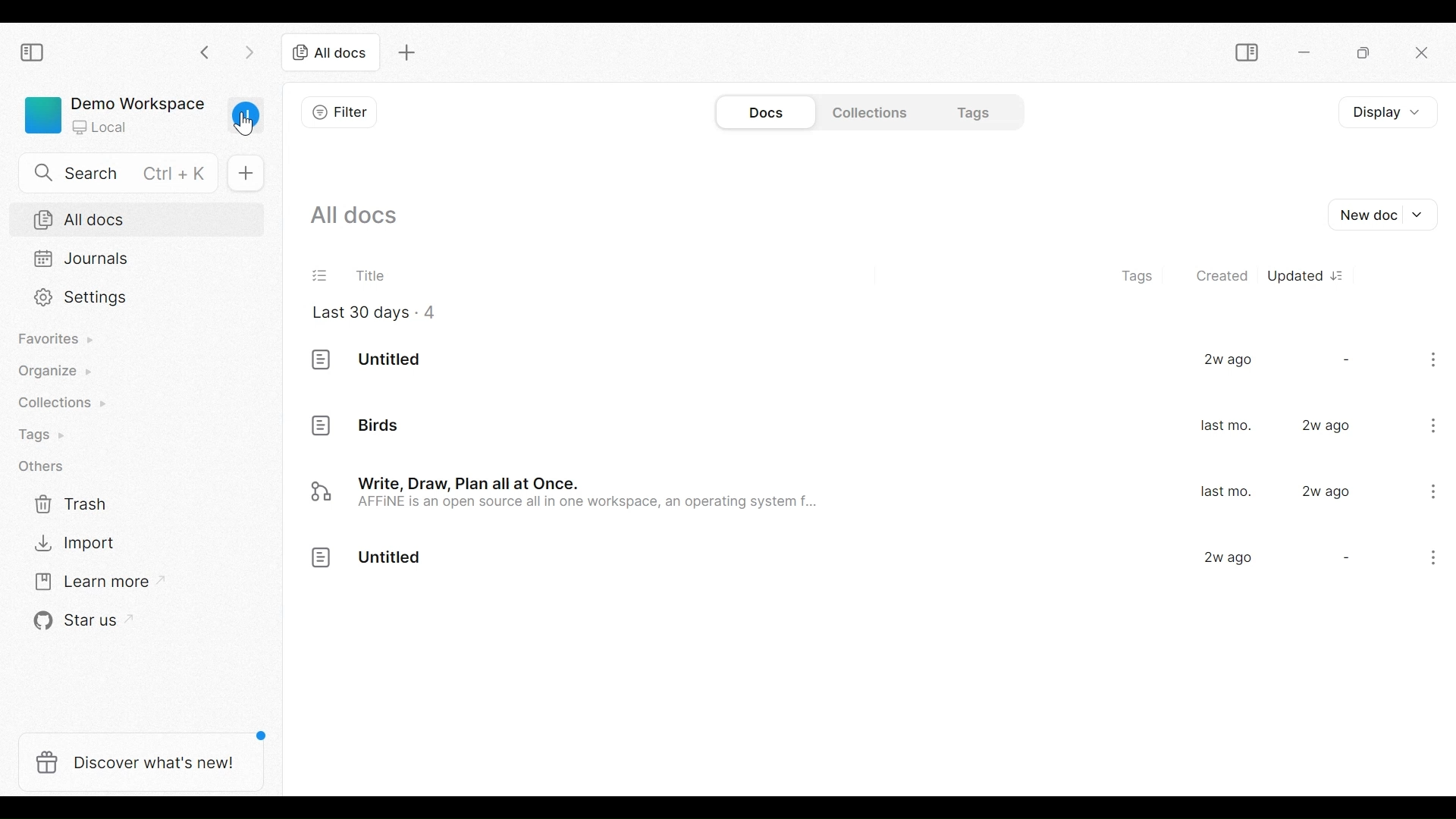  What do you see at coordinates (1245, 52) in the screenshot?
I see `Show/Hide Sidebar` at bounding box center [1245, 52].